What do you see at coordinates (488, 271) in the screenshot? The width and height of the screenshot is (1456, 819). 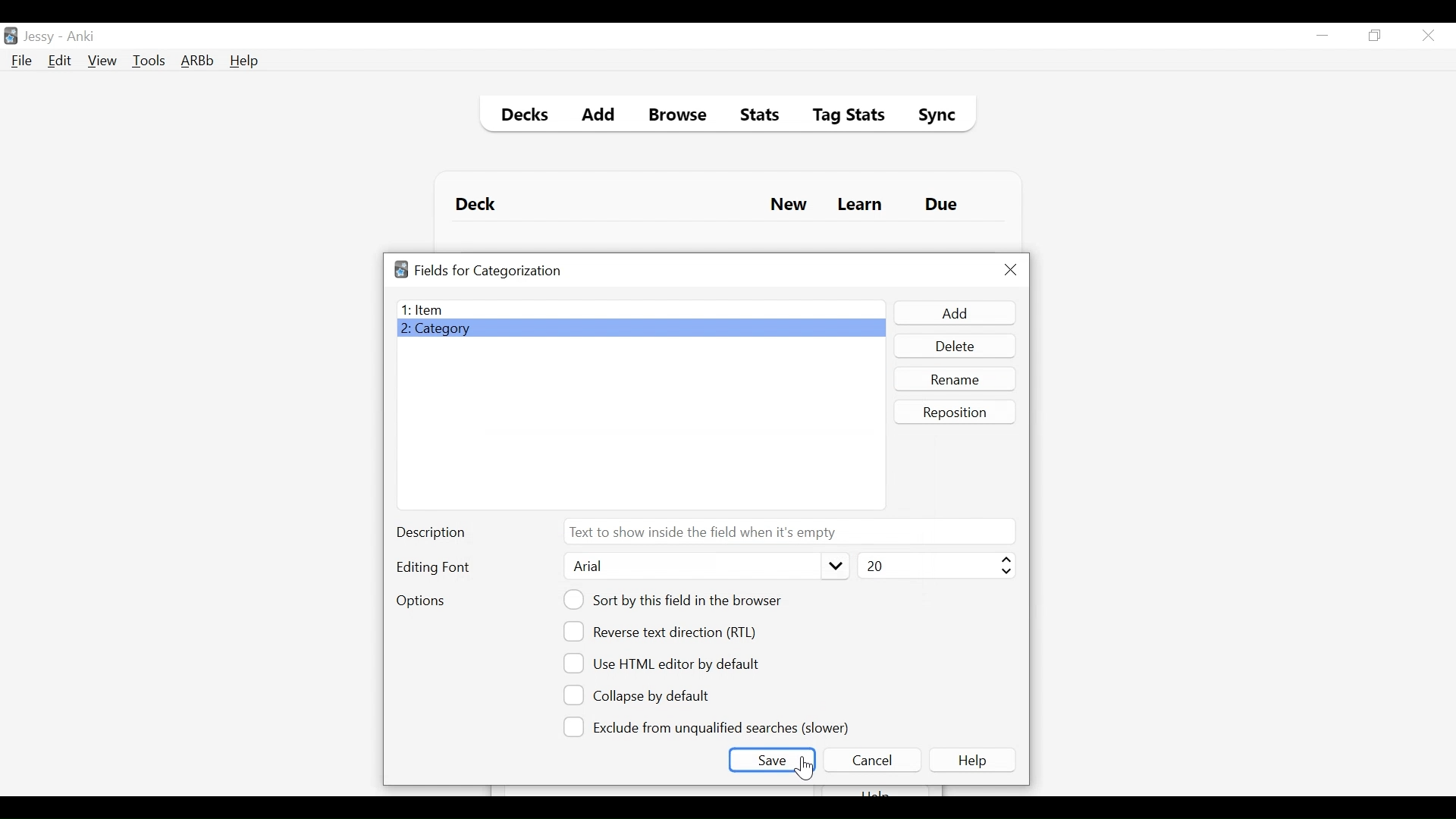 I see `Field for Categorization` at bounding box center [488, 271].